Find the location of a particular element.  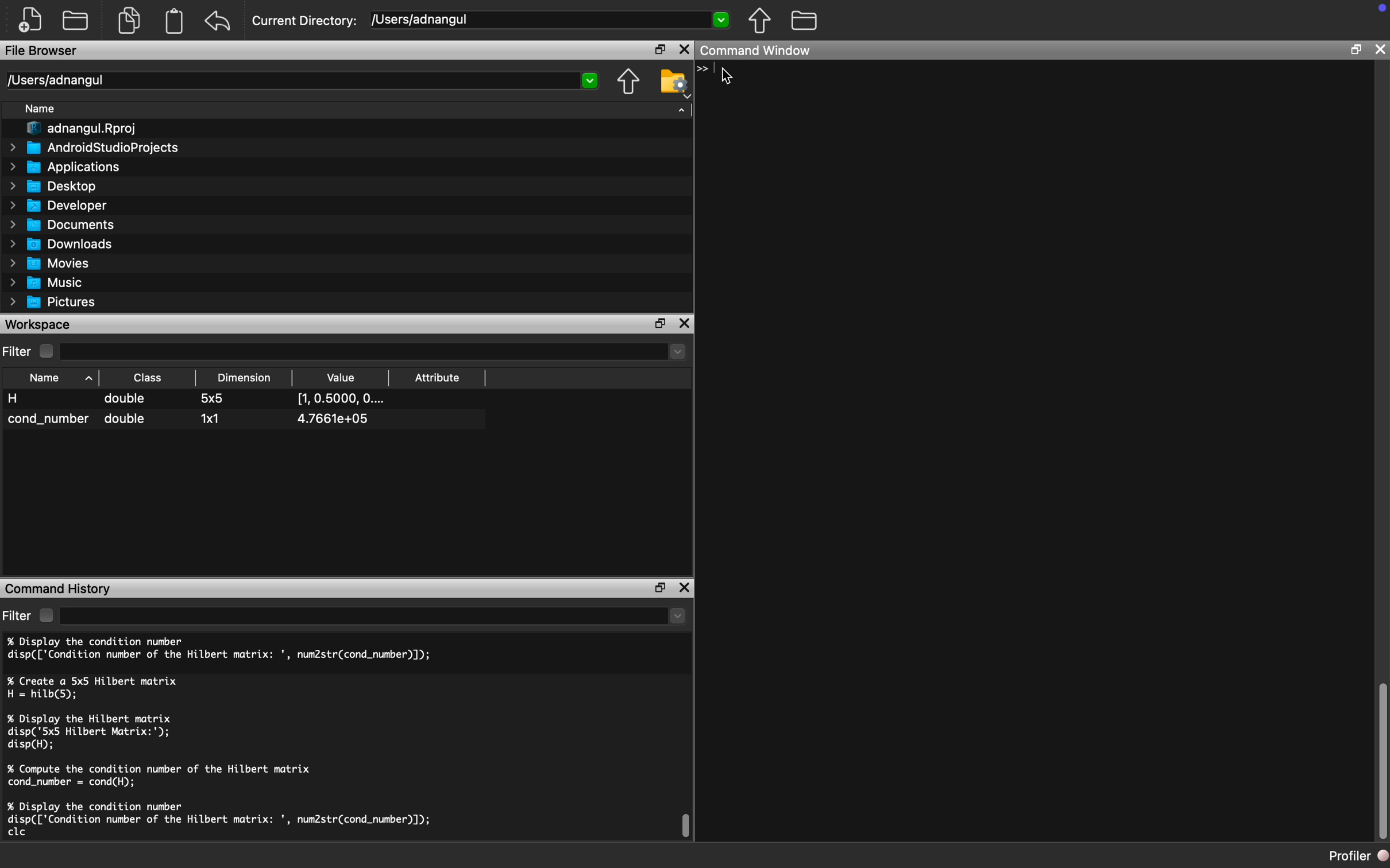

New File is located at coordinates (28, 21).